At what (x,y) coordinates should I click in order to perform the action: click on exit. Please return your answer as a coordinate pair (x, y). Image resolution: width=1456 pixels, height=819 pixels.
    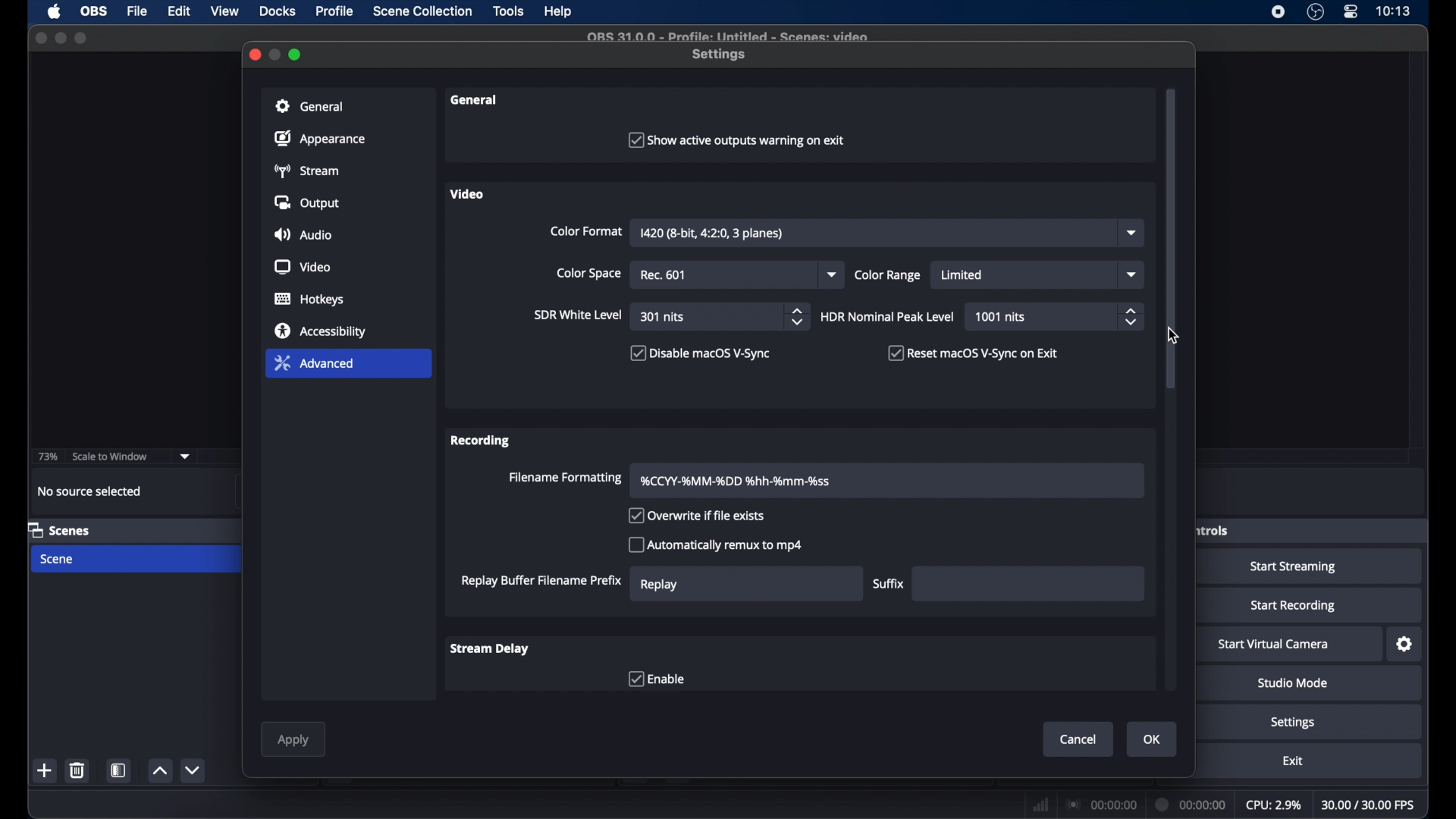
    Looking at the image, I should click on (1294, 761).